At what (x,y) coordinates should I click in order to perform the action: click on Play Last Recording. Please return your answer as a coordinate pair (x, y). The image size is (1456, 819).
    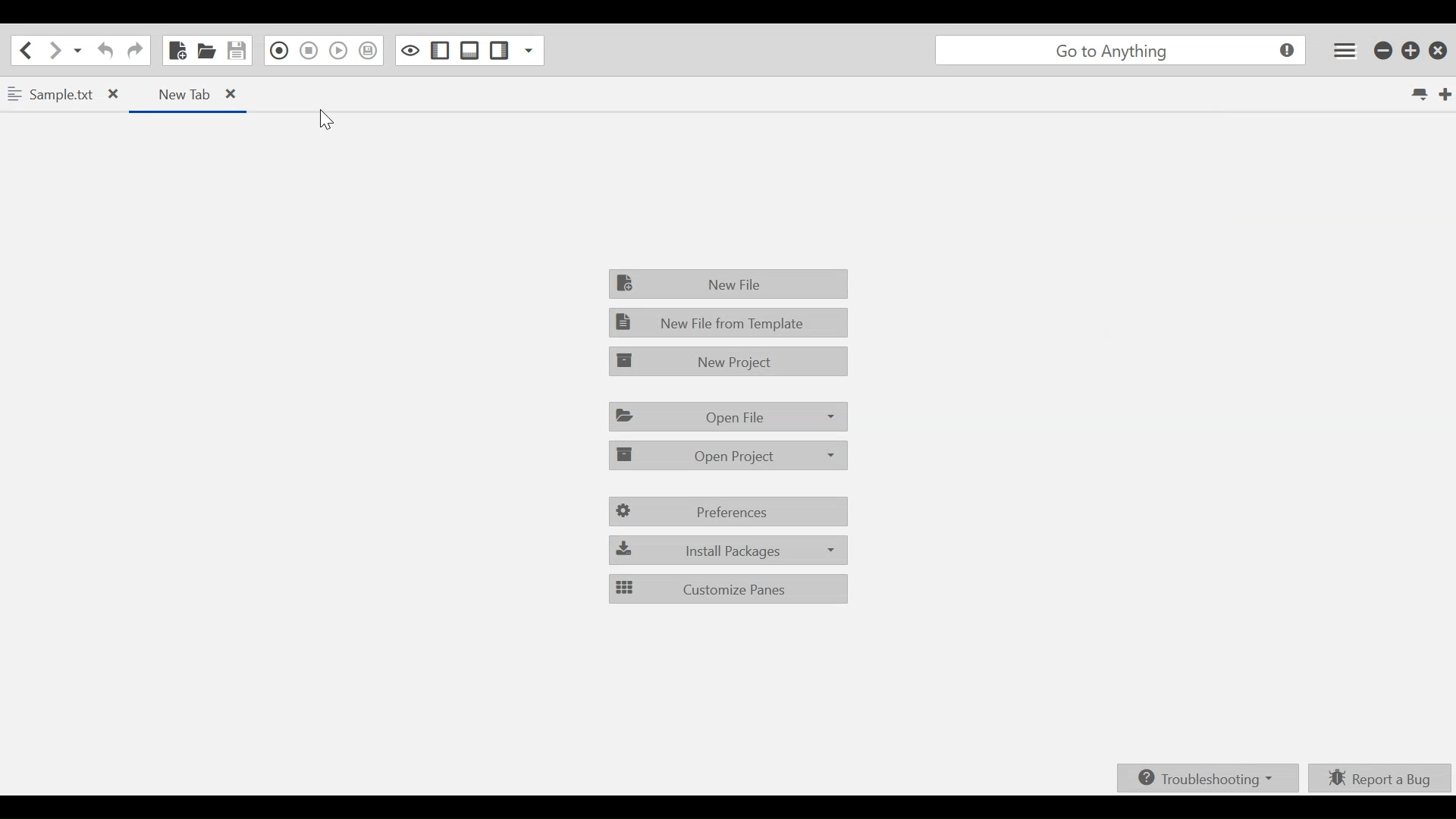
    Looking at the image, I should click on (338, 52).